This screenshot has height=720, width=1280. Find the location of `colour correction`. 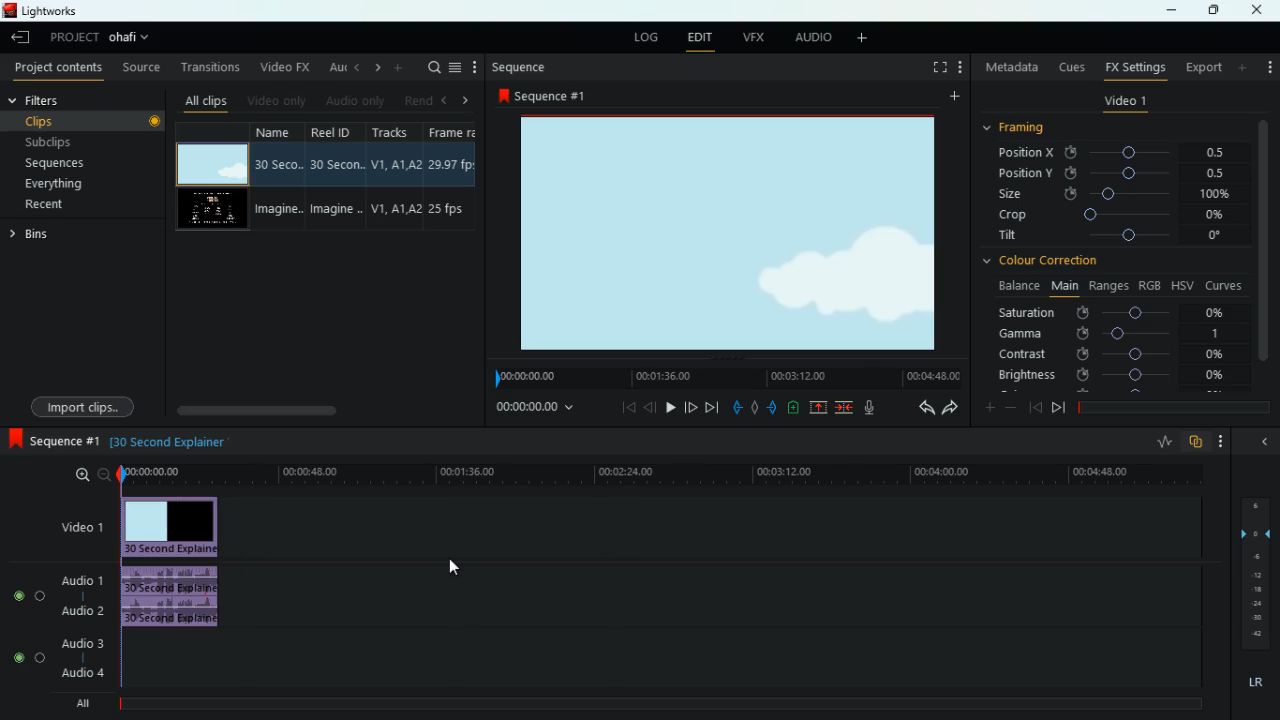

colour correction is located at coordinates (1049, 262).